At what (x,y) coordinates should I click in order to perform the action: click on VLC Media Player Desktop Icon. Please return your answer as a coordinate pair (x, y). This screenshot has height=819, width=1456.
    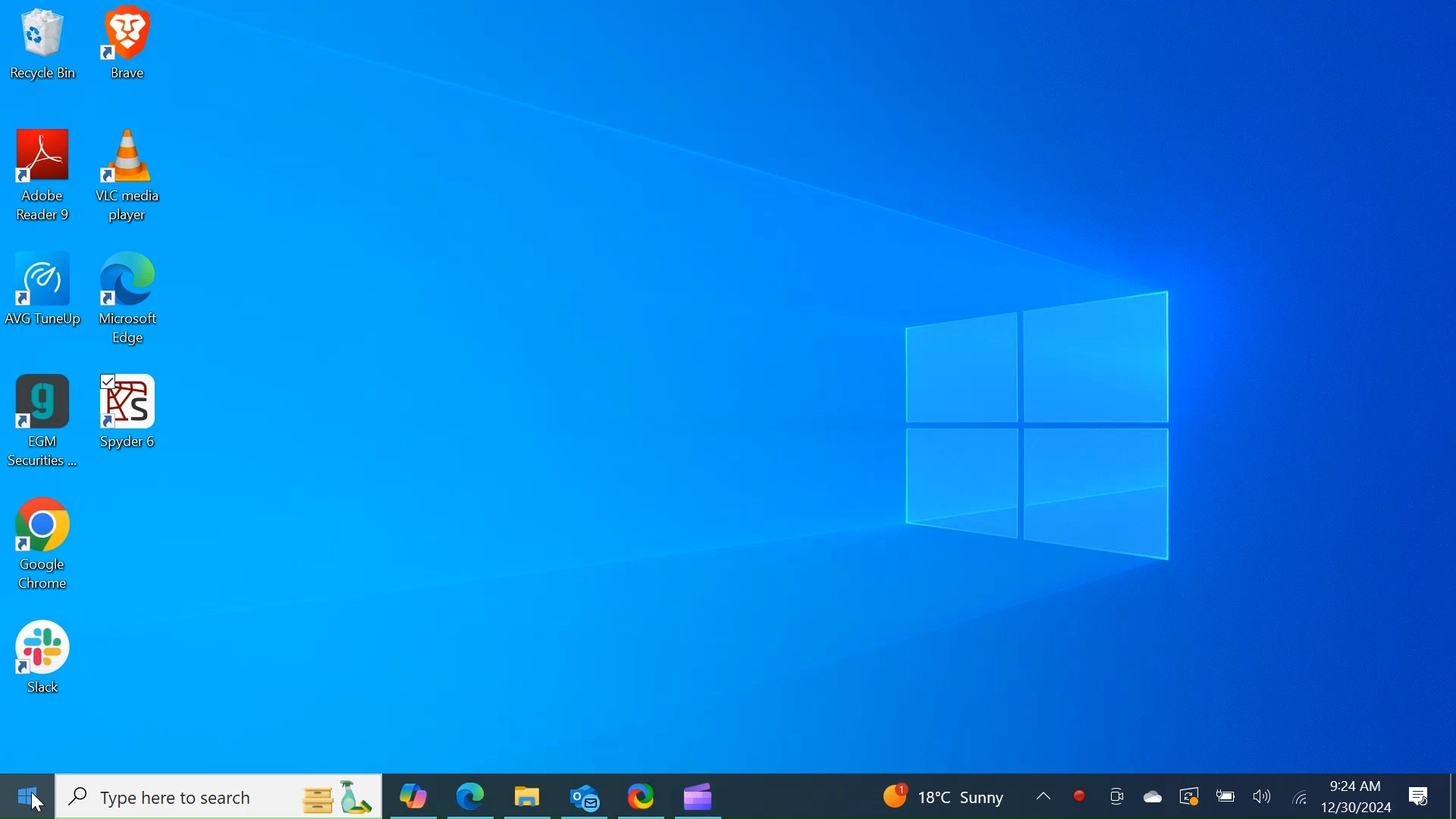
    Looking at the image, I should click on (134, 177).